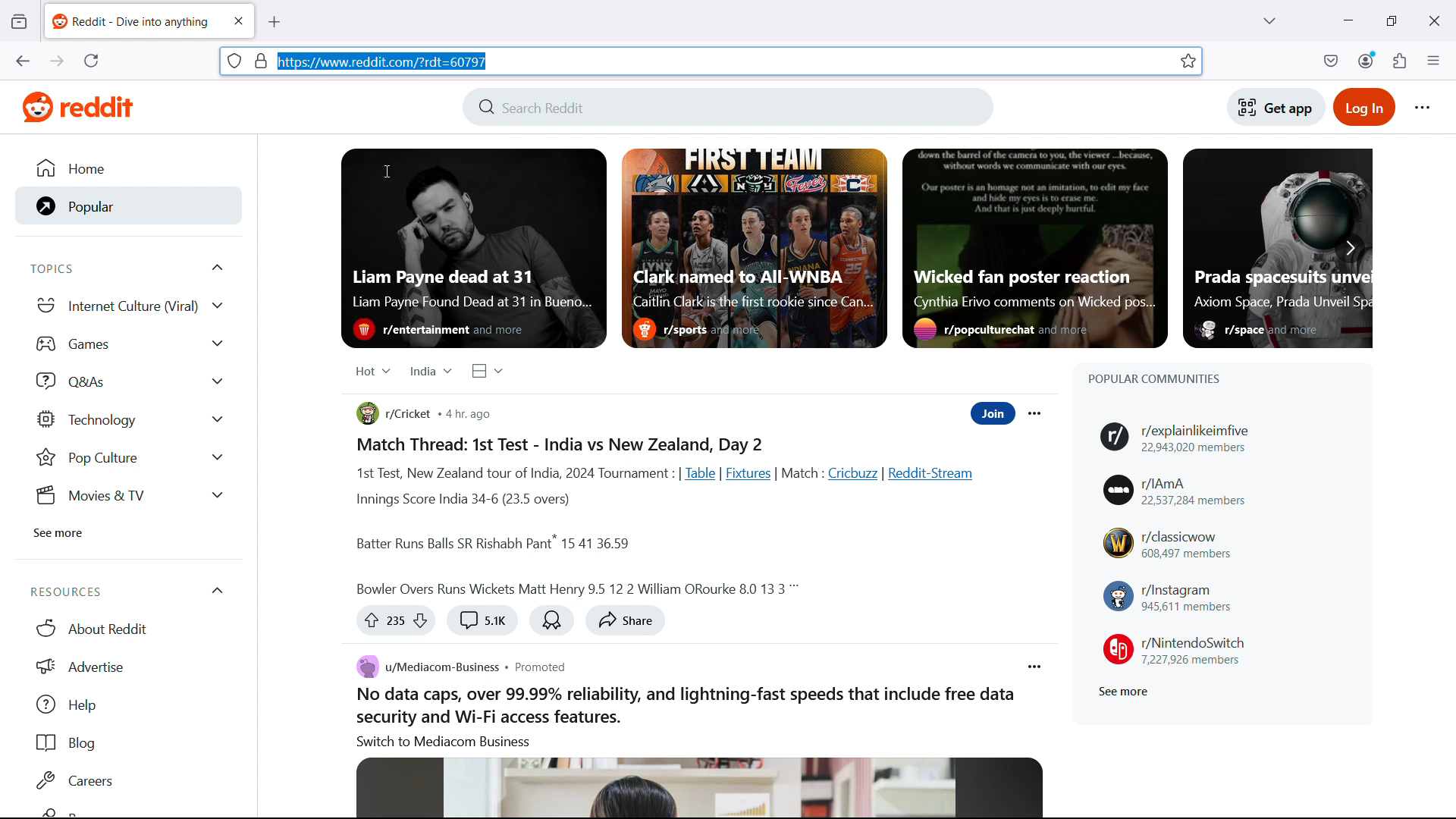 The width and height of the screenshot is (1456, 819). Describe the element at coordinates (423, 667) in the screenshot. I see `u/mediacom-business community` at that location.